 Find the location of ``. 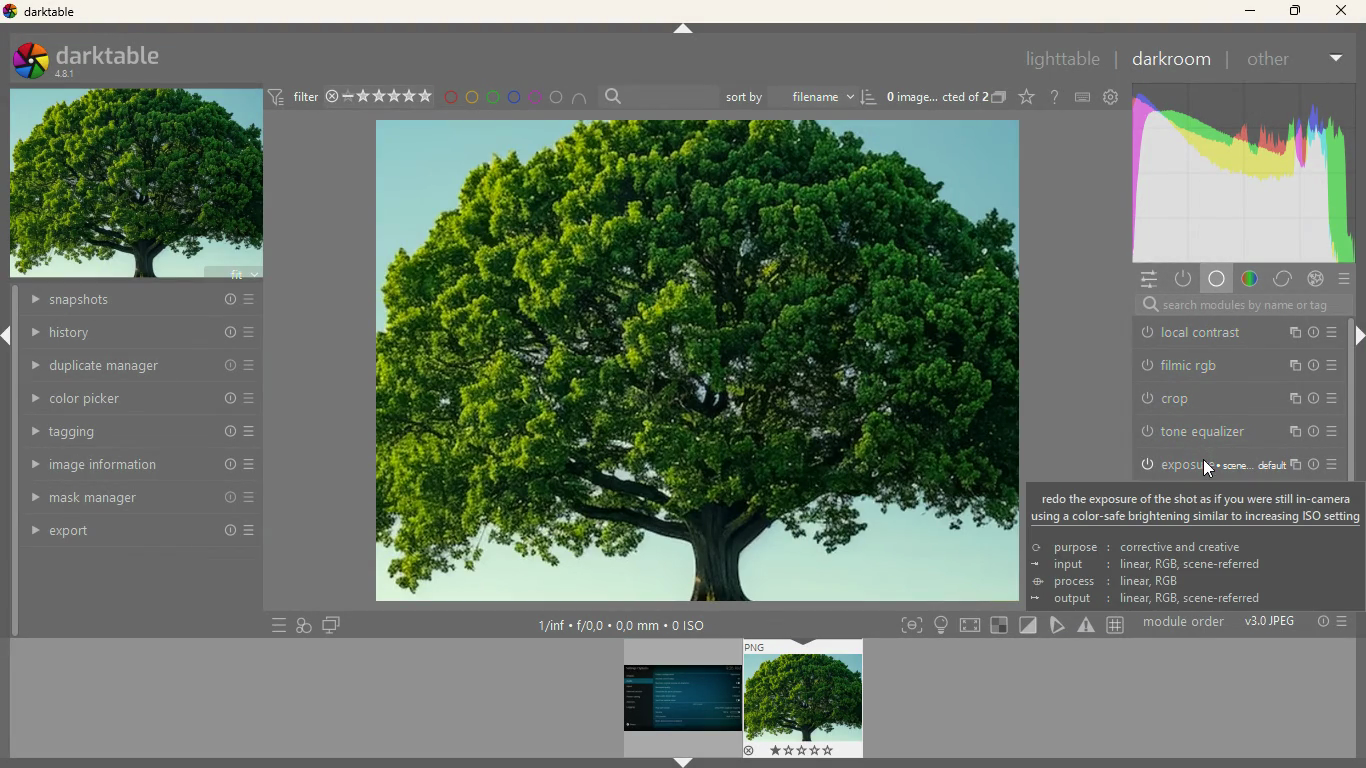

 is located at coordinates (1119, 625).